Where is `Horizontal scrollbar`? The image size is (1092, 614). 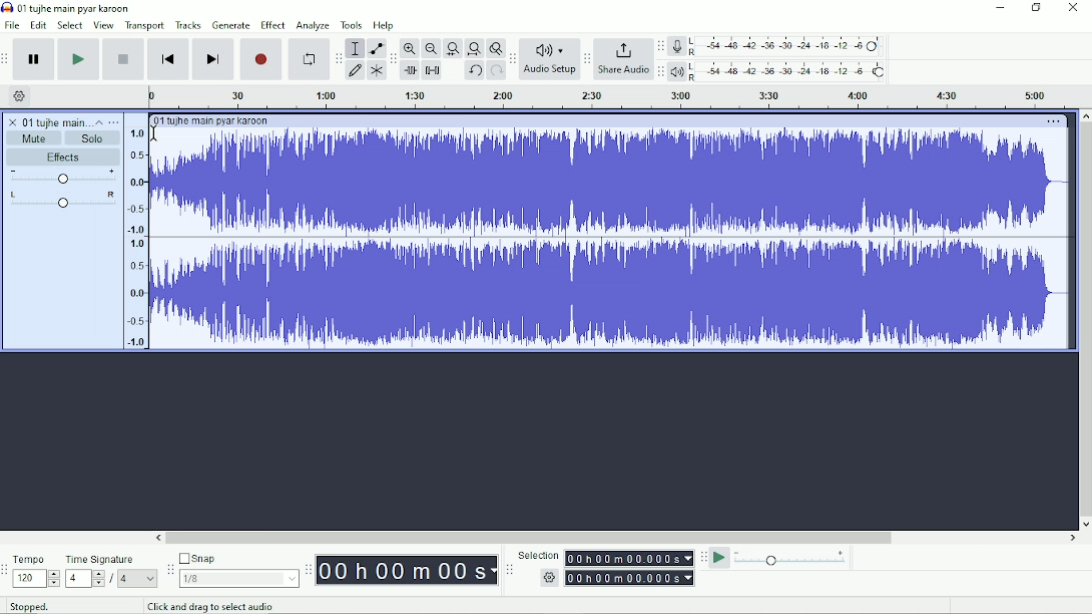
Horizontal scrollbar is located at coordinates (616, 538).